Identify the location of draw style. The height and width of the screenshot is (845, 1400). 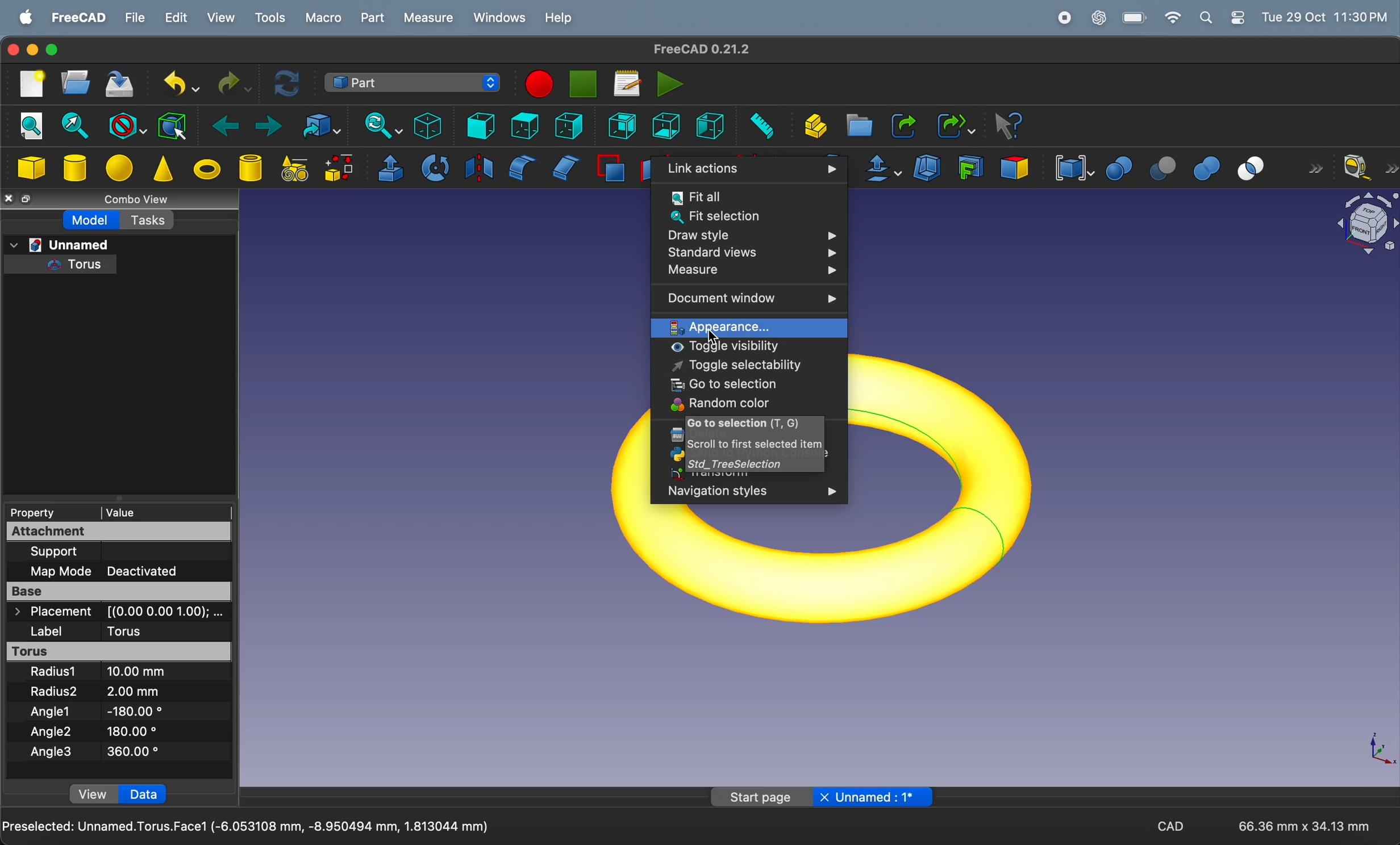
(748, 236).